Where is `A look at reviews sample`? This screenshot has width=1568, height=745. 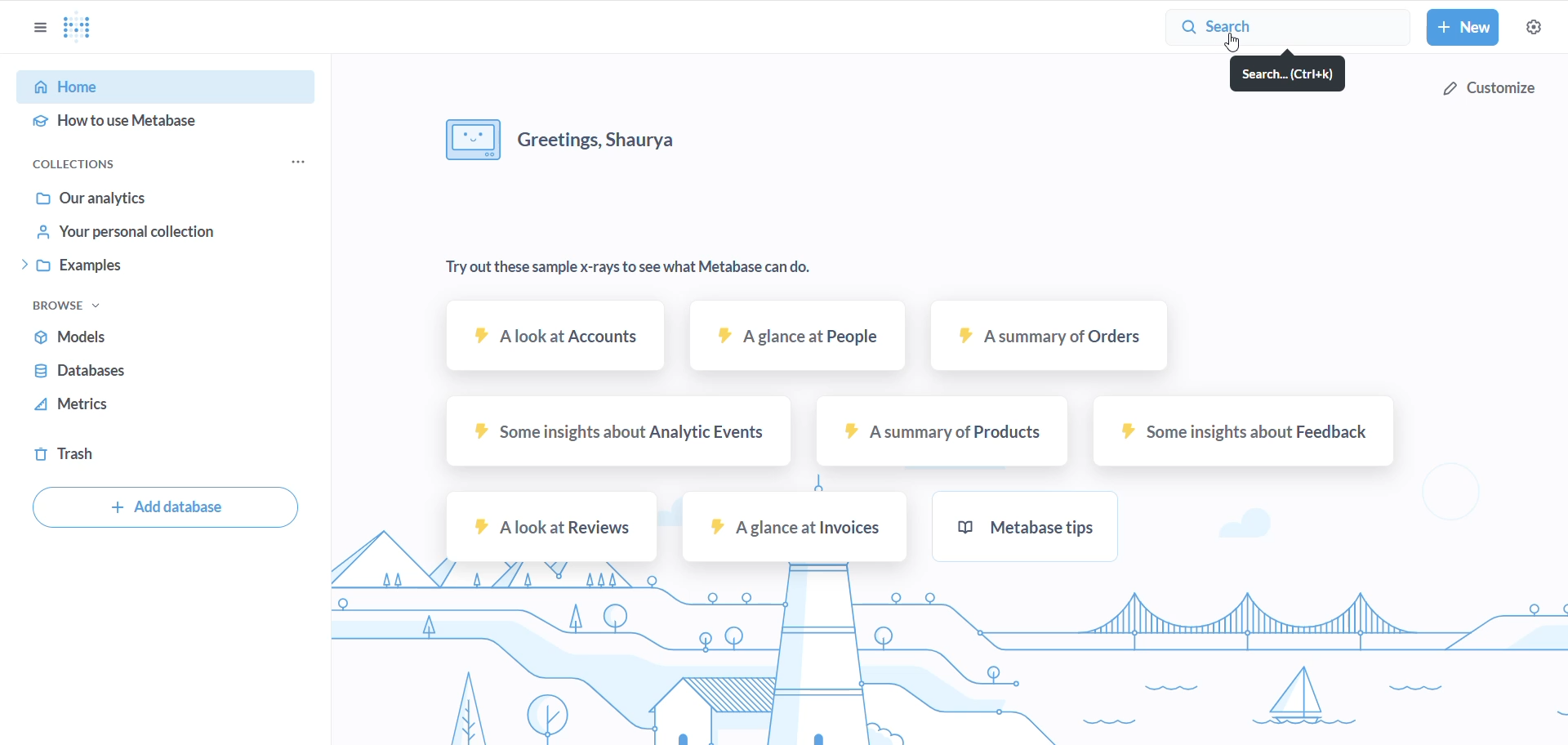 A look at reviews sample is located at coordinates (545, 530).